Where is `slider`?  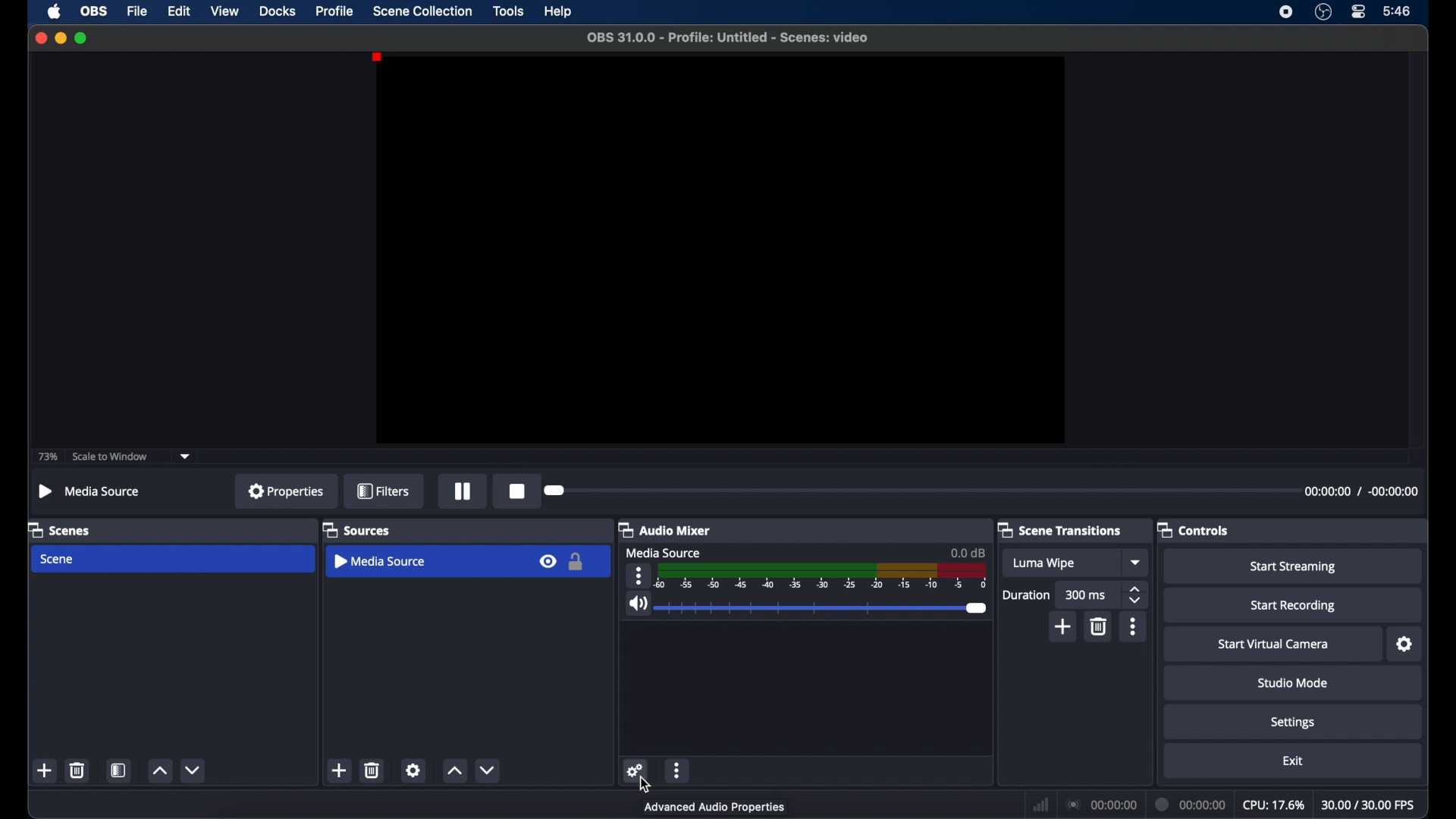
slider is located at coordinates (824, 608).